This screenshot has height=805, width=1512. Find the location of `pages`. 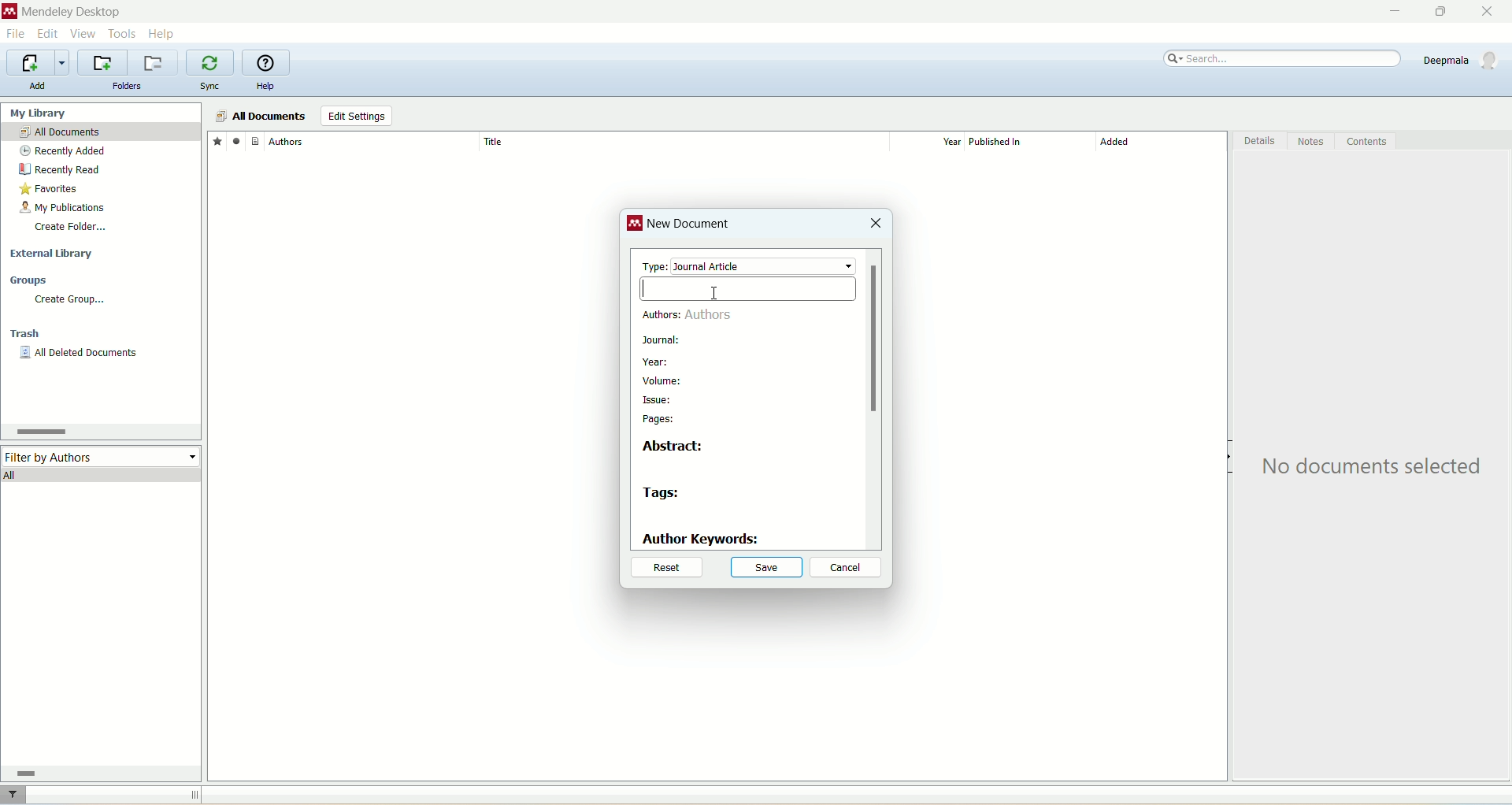

pages is located at coordinates (661, 420).